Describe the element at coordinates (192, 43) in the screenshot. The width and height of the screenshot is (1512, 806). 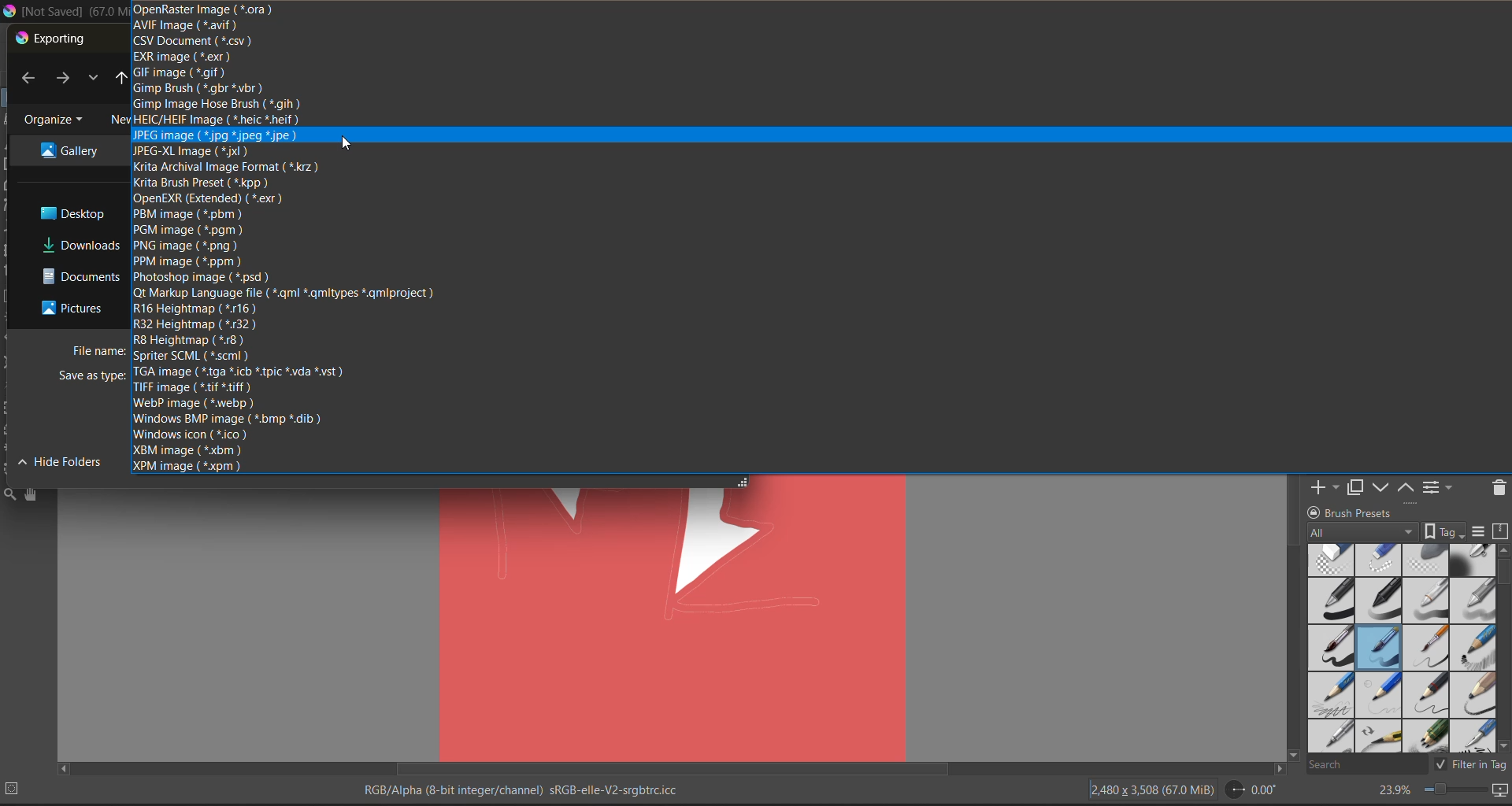
I see `csv document` at that location.